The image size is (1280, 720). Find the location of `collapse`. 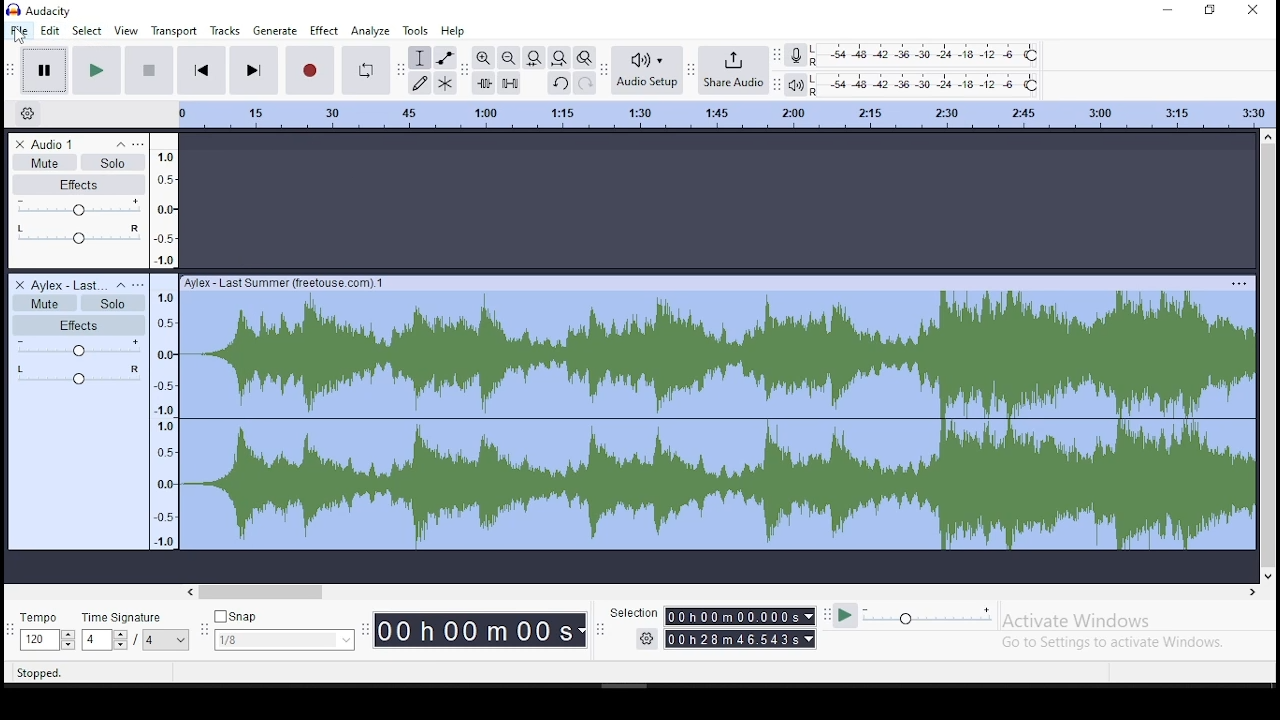

collapse is located at coordinates (120, 144).